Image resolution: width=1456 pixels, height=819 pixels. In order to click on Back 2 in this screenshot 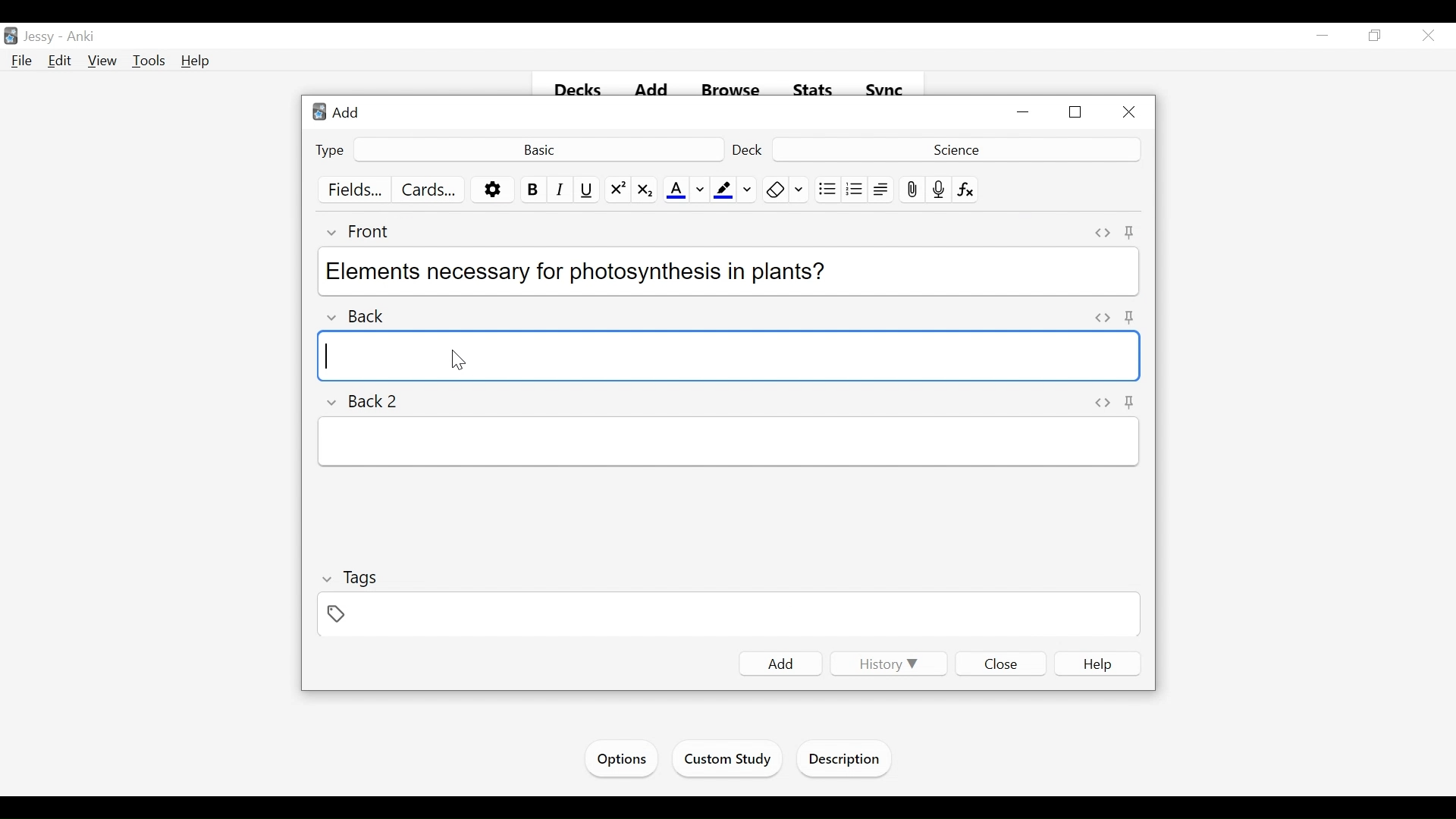, I will do `click(370, 402)`.